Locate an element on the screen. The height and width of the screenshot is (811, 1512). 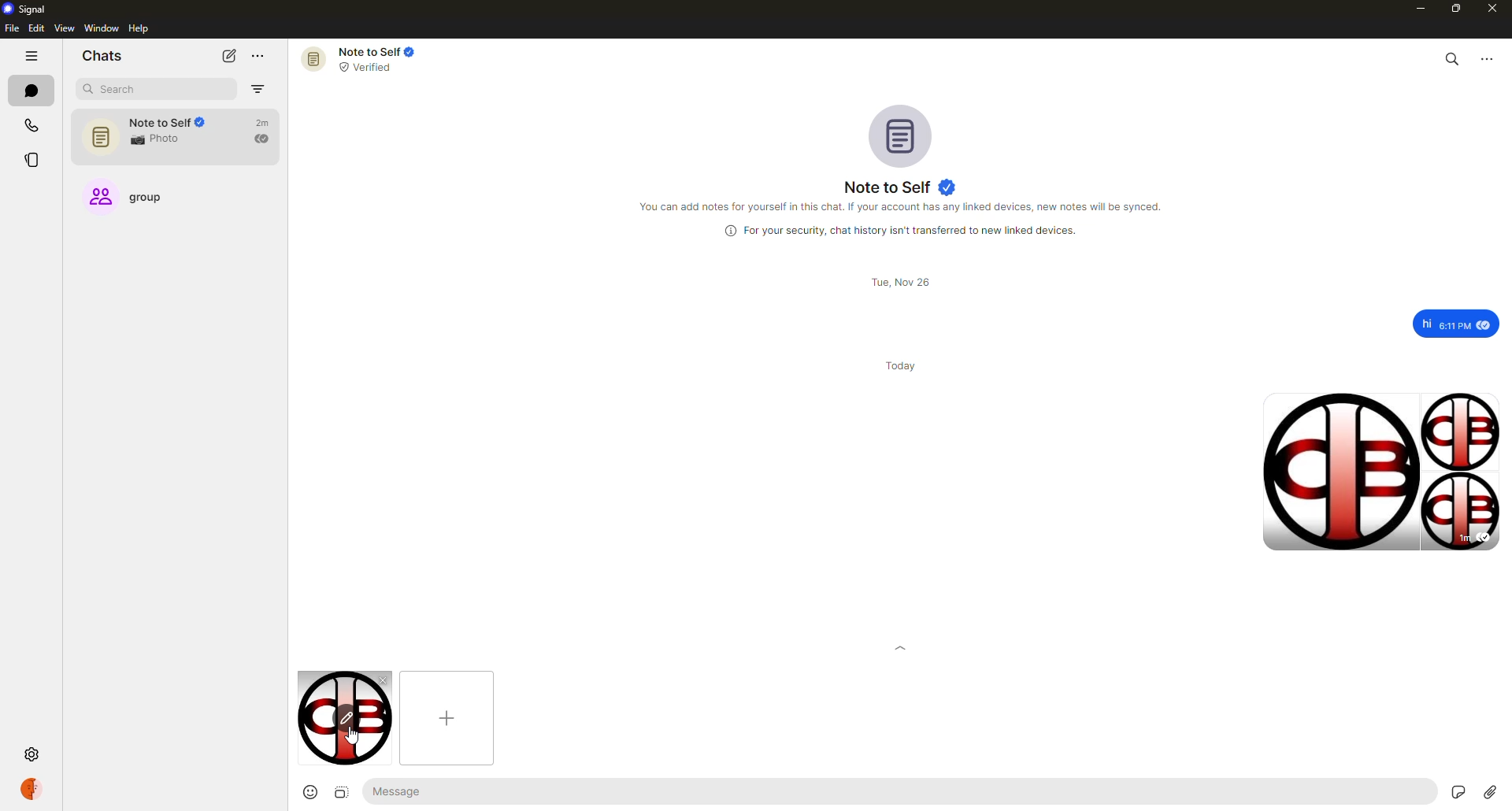
info is located at coordinates (904, 207).